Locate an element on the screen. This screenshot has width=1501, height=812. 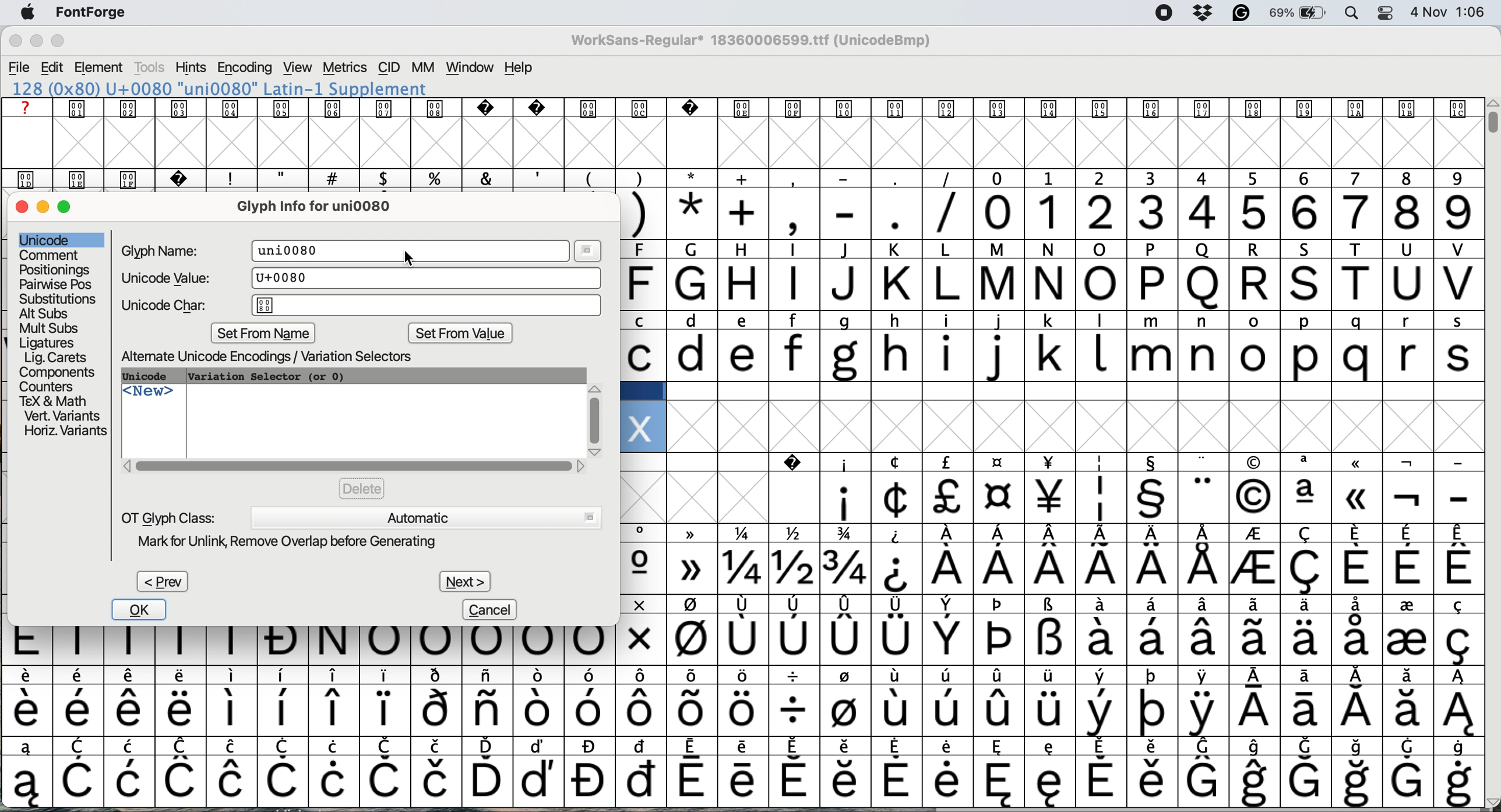
mark for unlink remove overlap before generating is located at coordinates (300, 543).